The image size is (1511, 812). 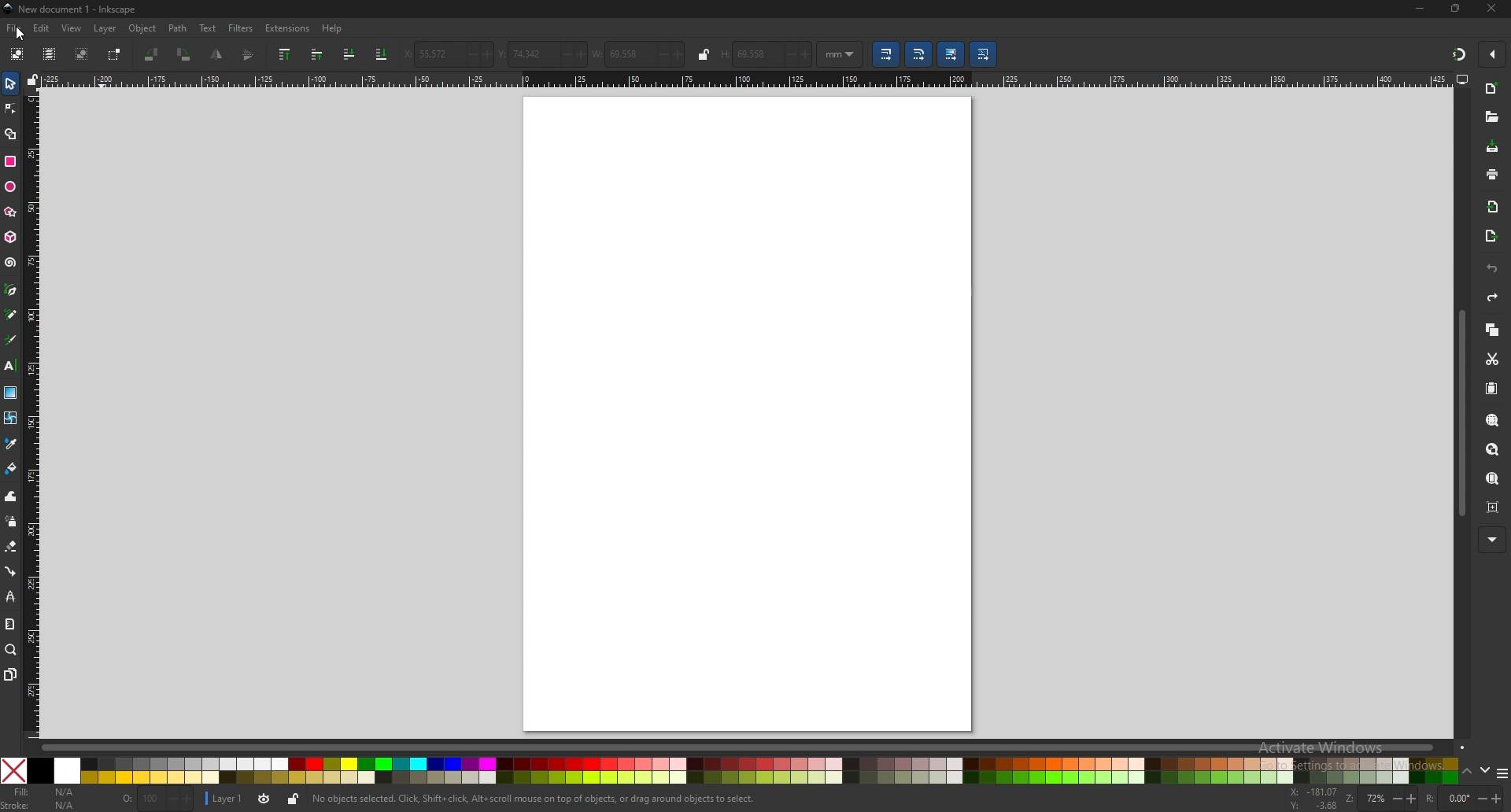 I want to click on zoom, so click(x=10, y=650).